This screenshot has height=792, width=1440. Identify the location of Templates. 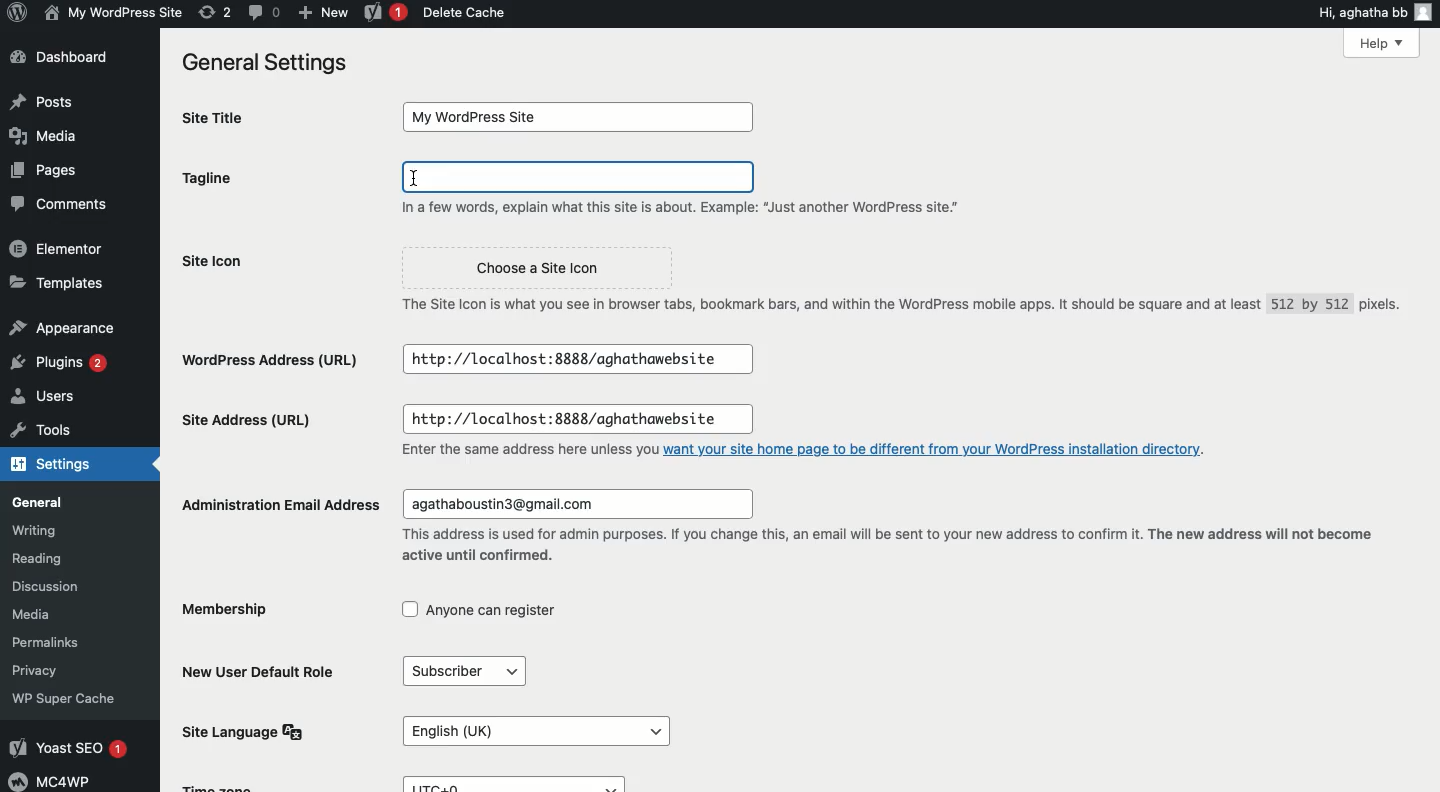
(59, 283).